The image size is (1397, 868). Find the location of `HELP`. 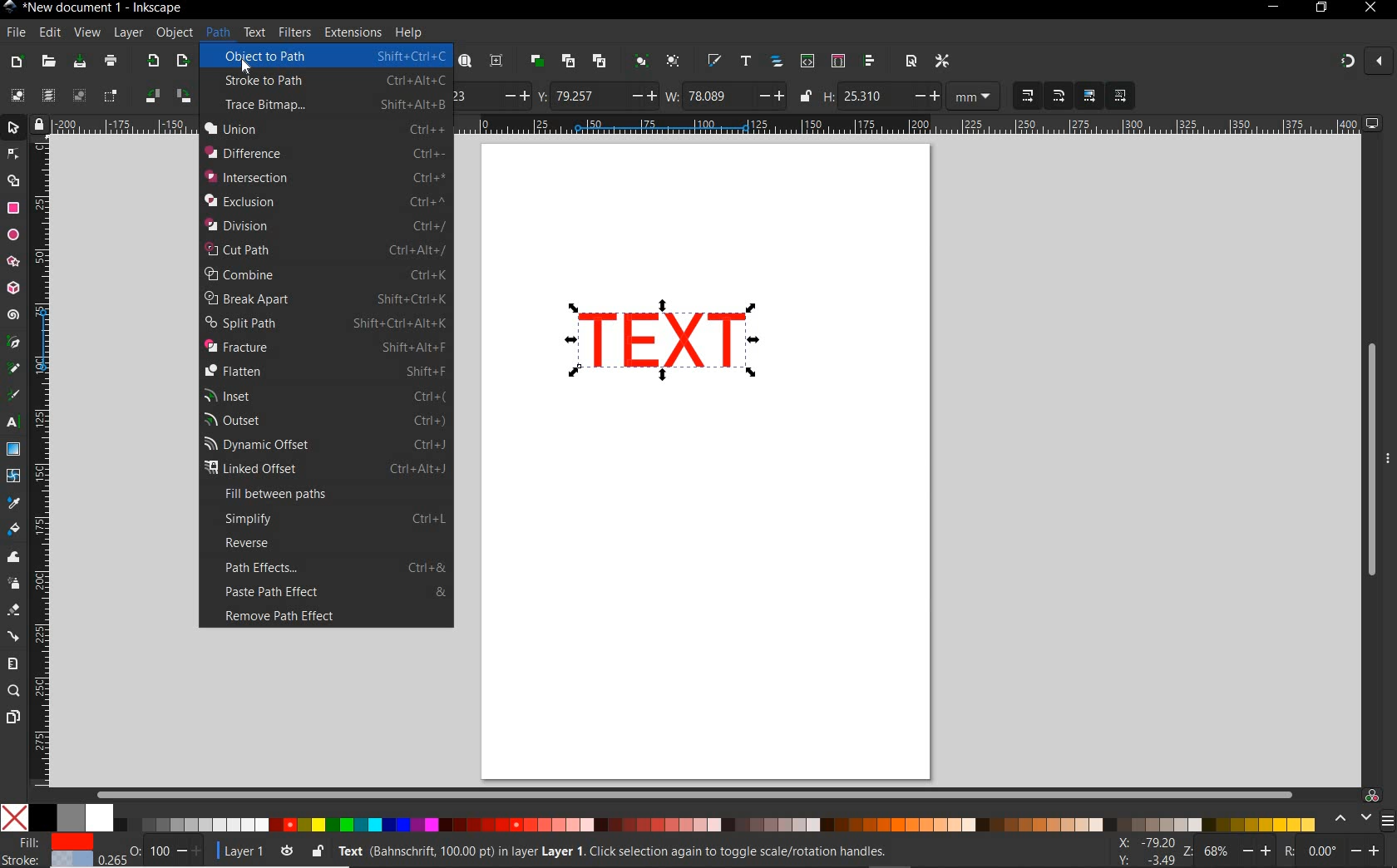

HELP is located at coordinates (407, 34).